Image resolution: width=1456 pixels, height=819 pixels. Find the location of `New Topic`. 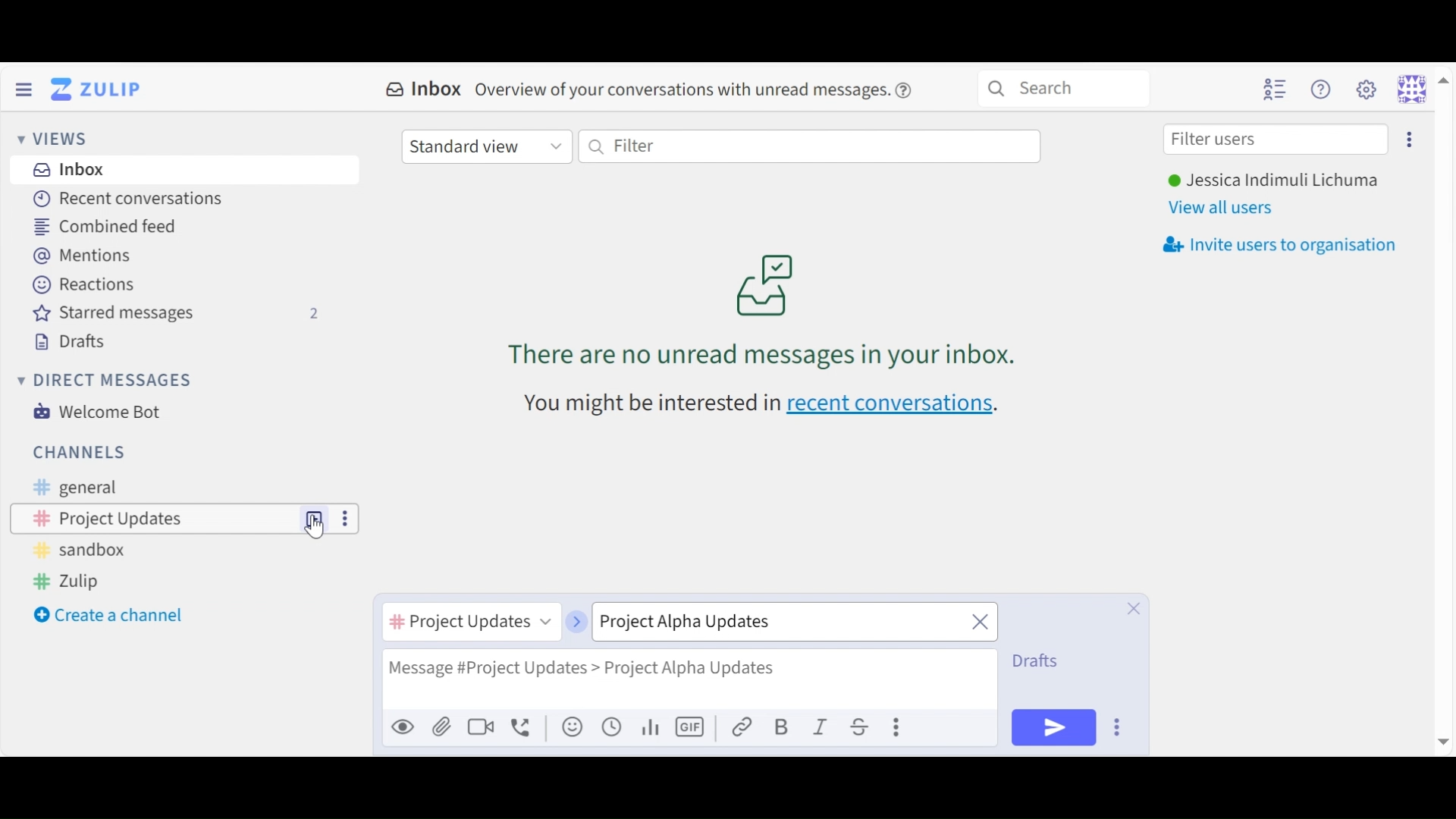

New Topic is located at coordinates (315, 517).